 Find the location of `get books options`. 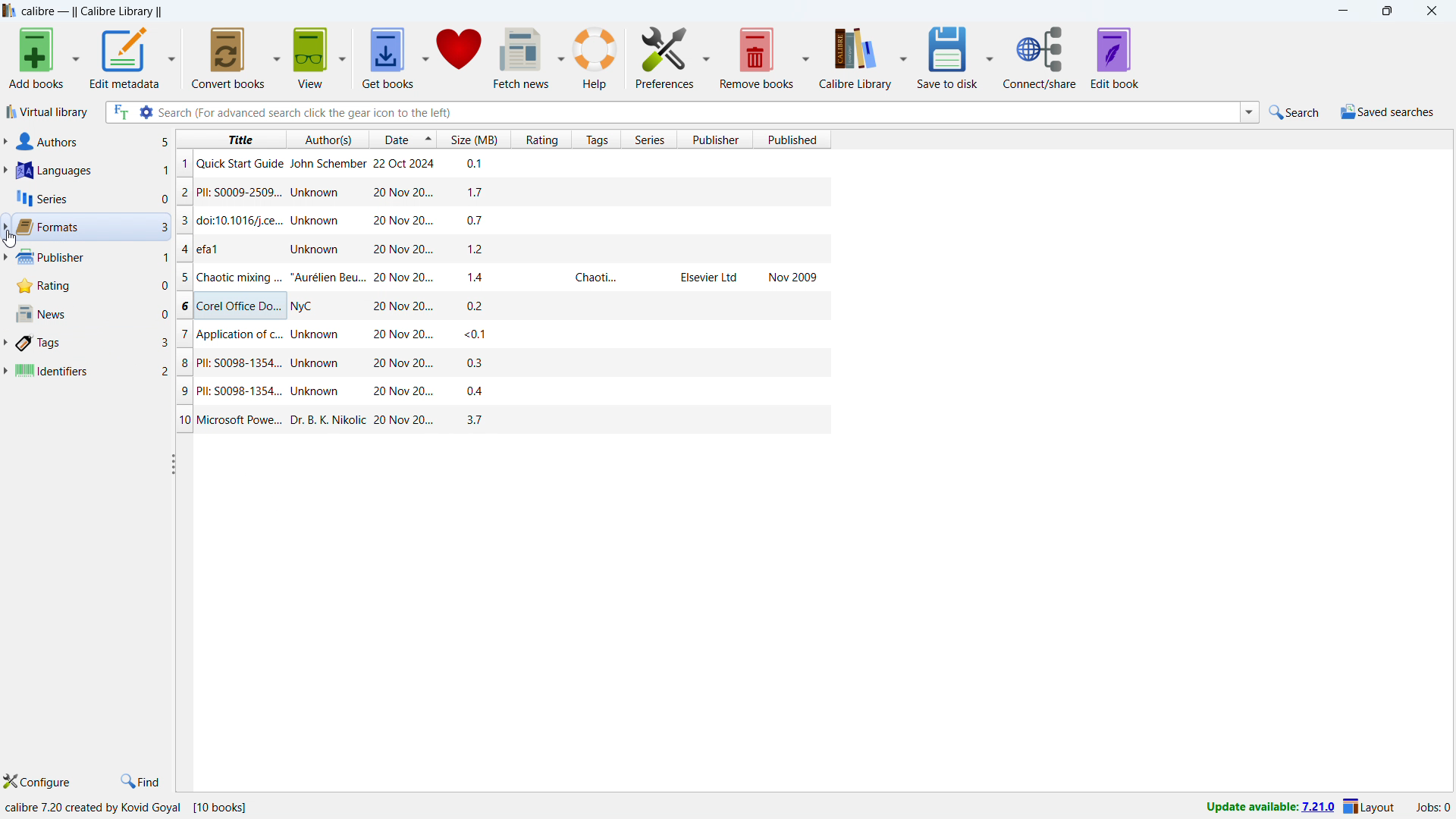

get books options is located at coordinates (427, 56).